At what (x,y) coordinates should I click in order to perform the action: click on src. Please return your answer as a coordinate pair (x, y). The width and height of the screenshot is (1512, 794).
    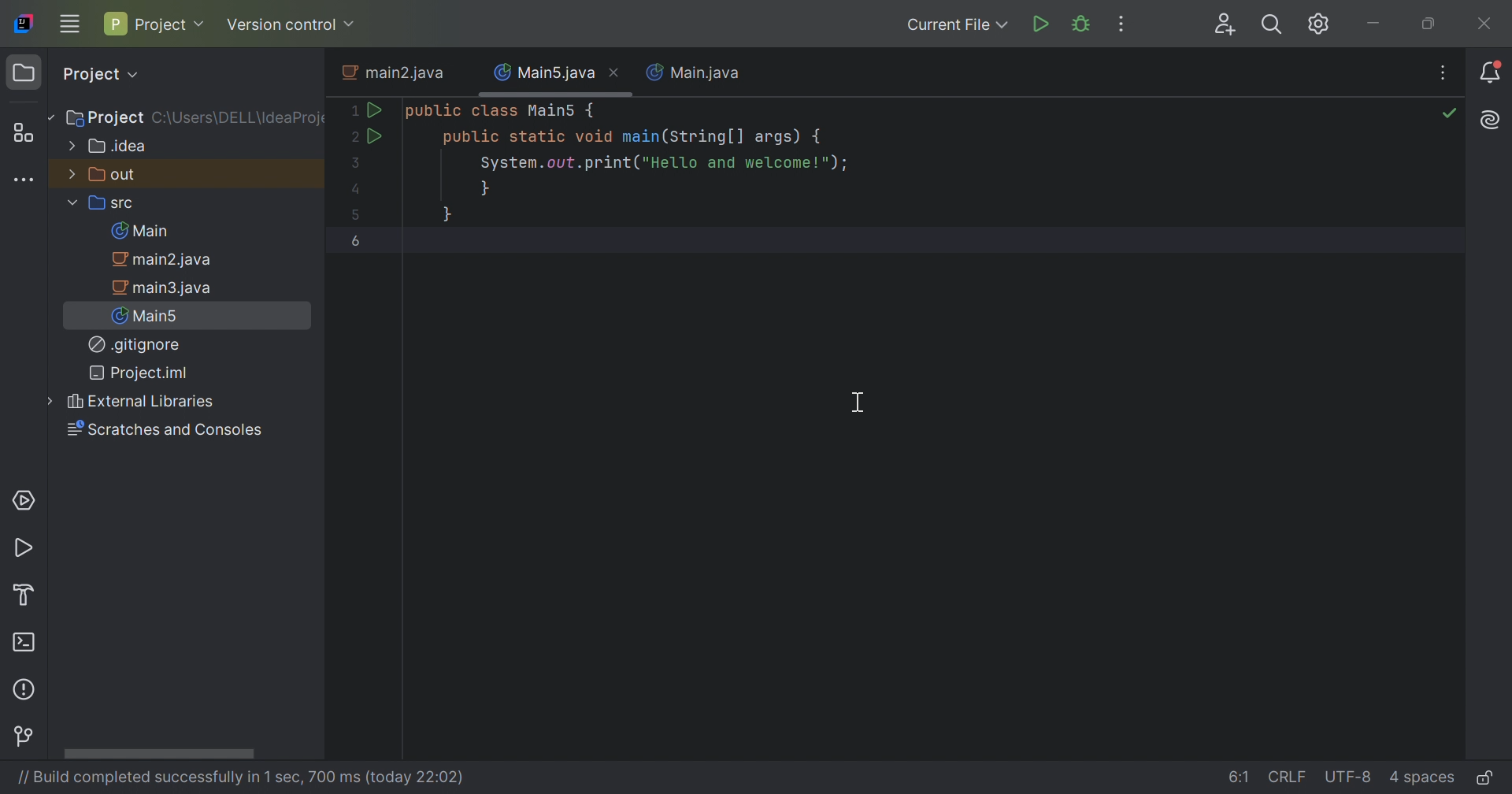
    Looking at the image, I should click on (103, 205).